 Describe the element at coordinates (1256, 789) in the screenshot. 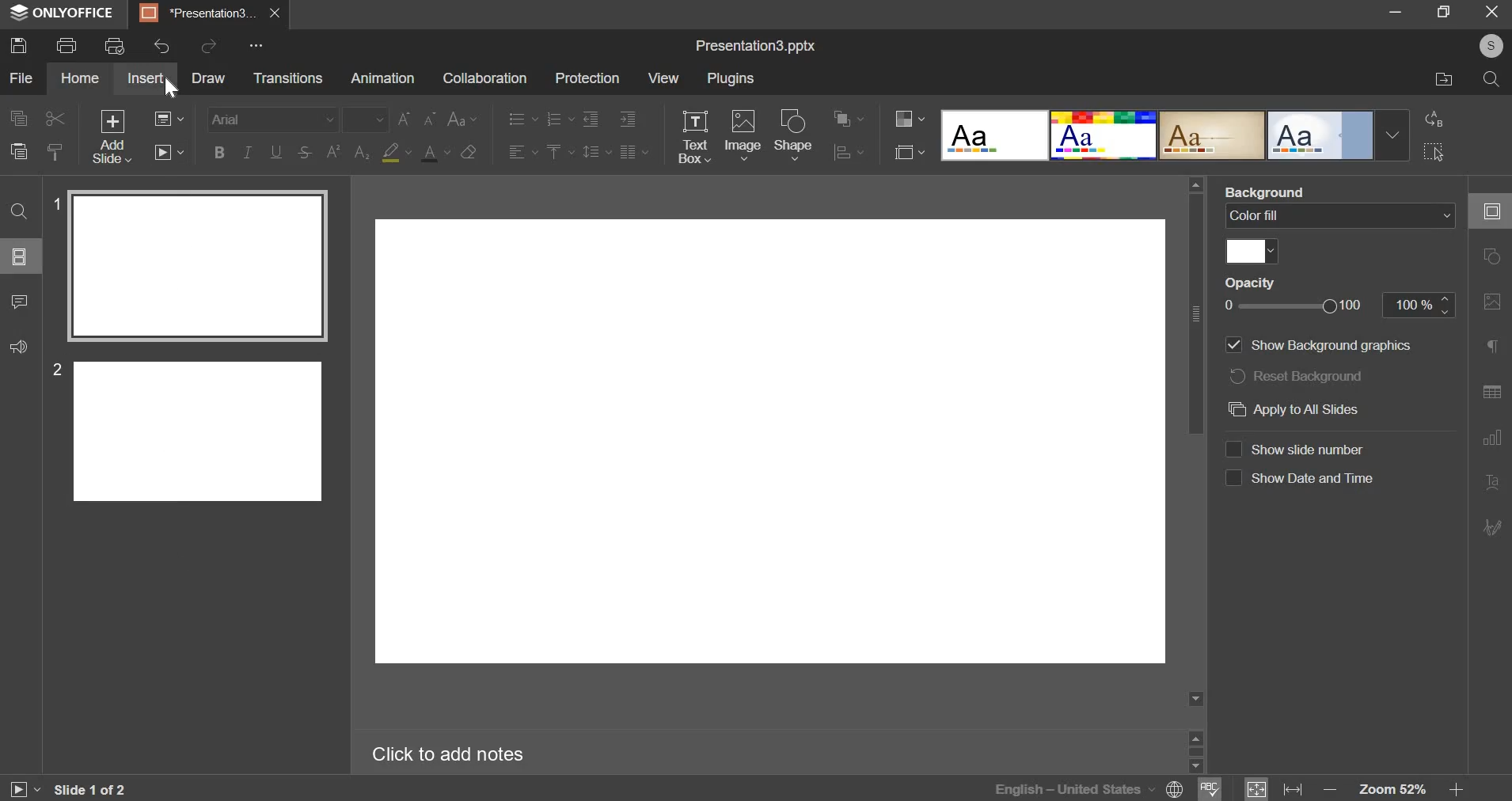

I see `fit to slide` at that location.